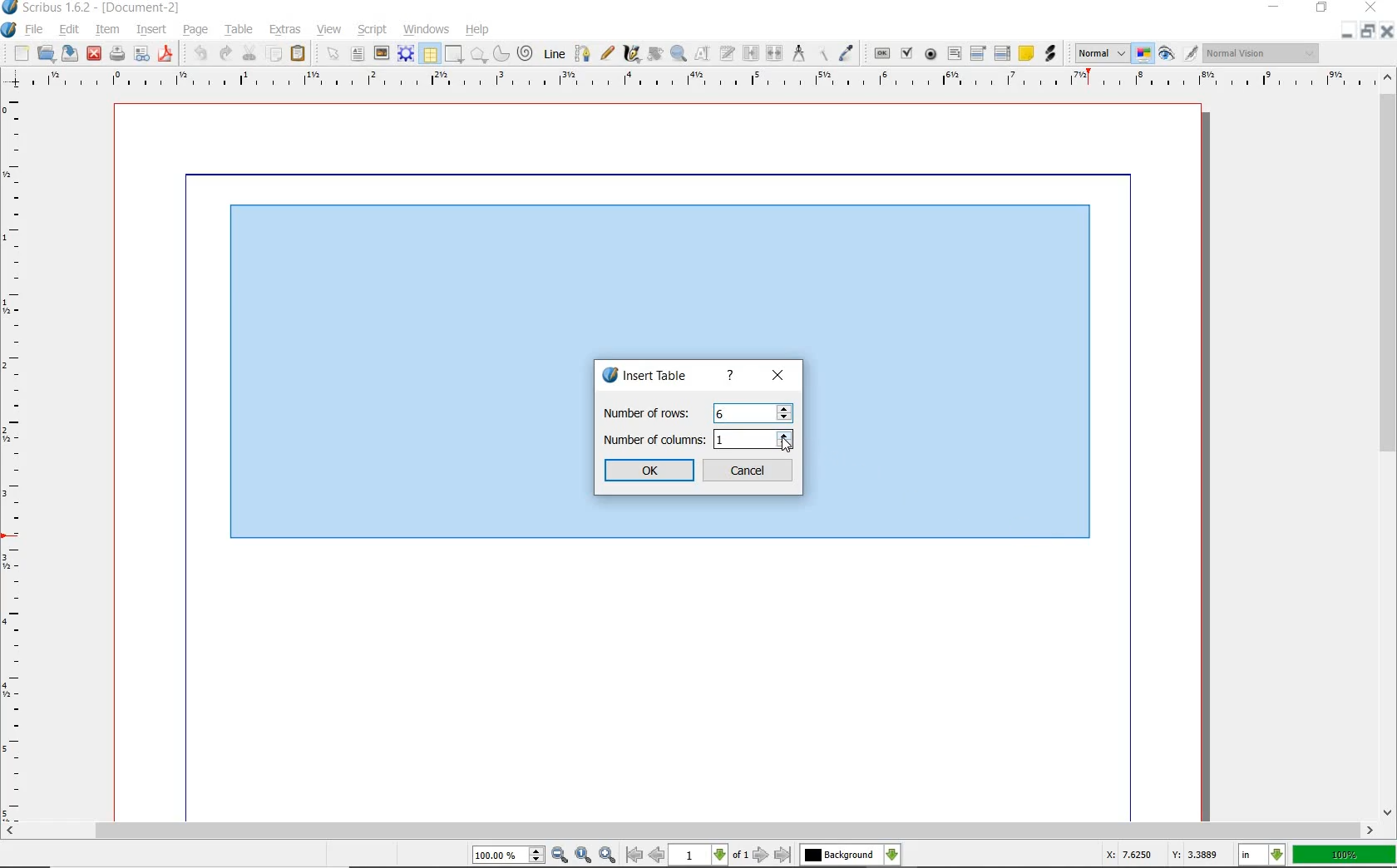 The height and width of the screenshot is (868, 1397). Describe the element at coordinates (1264, 52) in the screenshot. I see `visual appearance of the display` at that location.